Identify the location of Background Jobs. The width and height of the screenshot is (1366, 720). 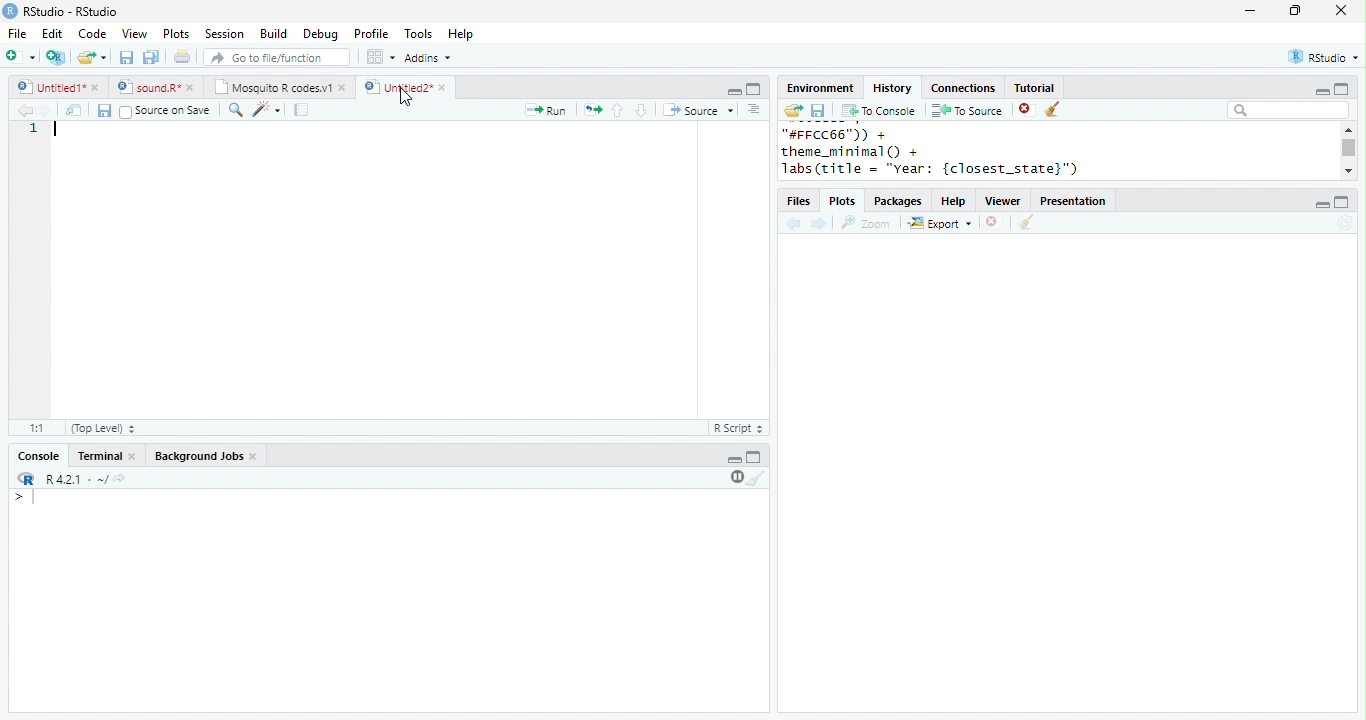
(198, 456).